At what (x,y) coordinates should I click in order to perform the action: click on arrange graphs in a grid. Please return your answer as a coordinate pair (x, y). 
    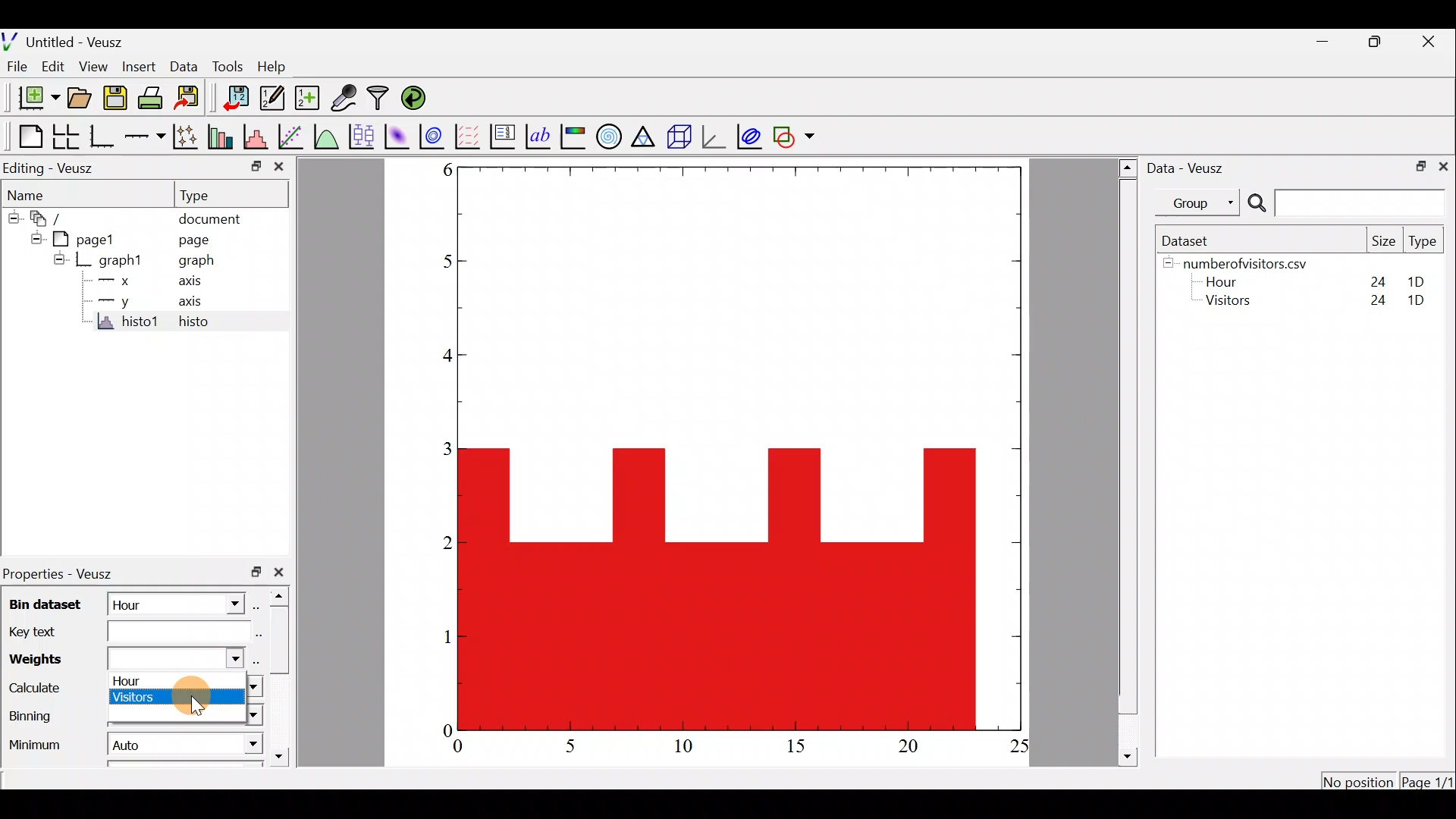
    Looking at the image, I should click on (65, 136).